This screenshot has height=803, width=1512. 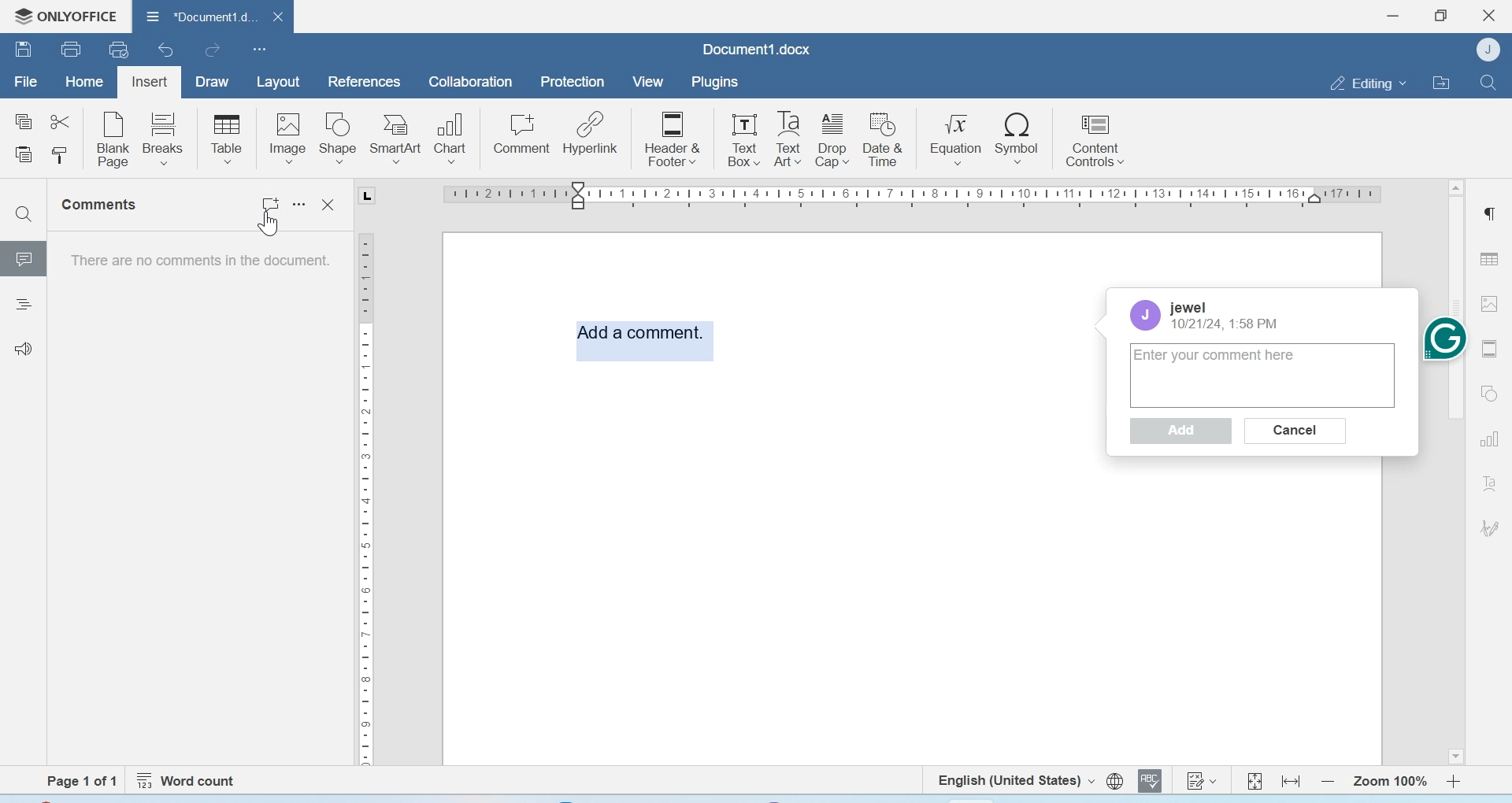 What do you see at coordinates (102, 205) in the screenshot?
I see `Comments` at bounding box center [102, 205].